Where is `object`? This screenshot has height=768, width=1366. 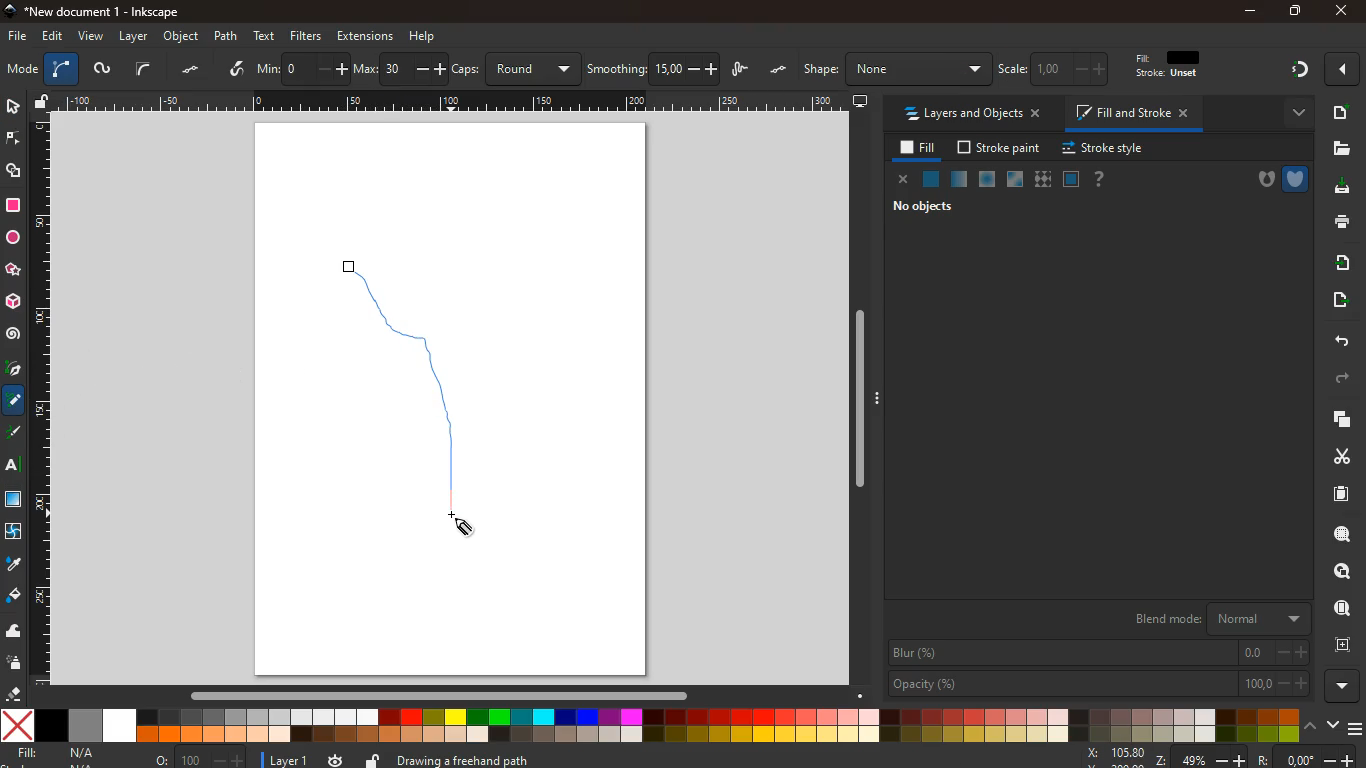 object is located at coordinates (182, 37).